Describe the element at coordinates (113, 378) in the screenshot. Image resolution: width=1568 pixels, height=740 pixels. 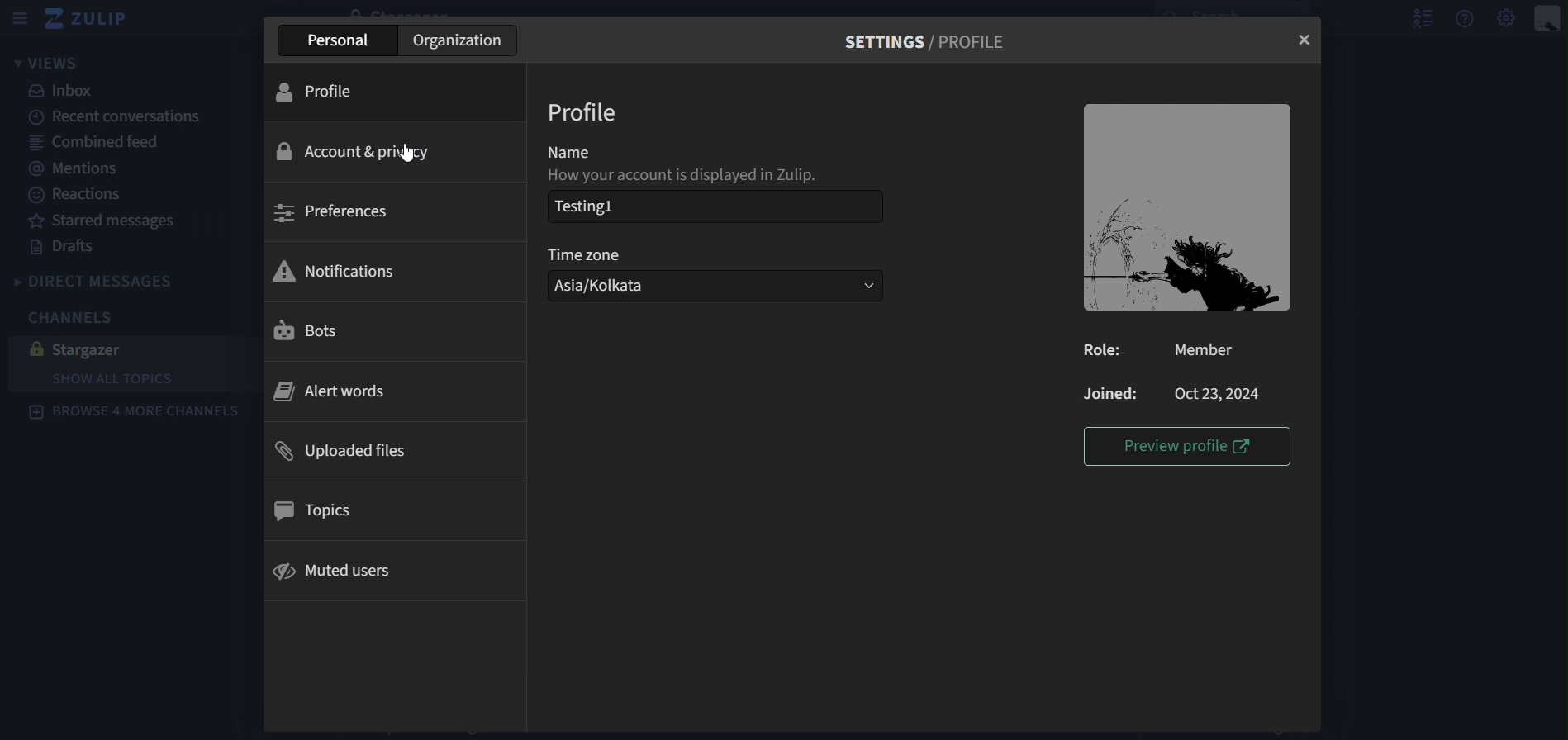
I see `show all topics` at that location.